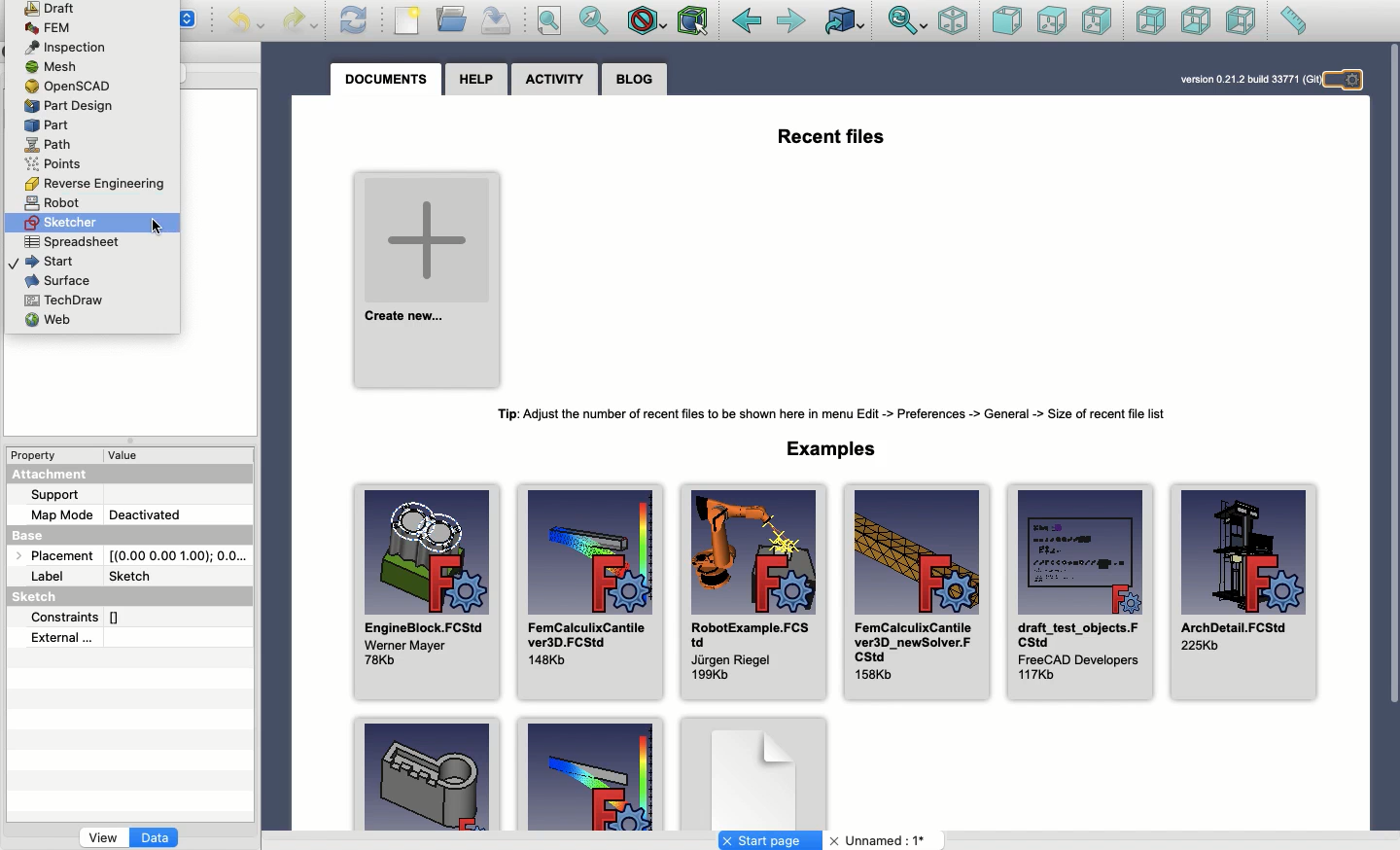 This screenshot has width=1400, height=850. I want to click on EngineBlock, so click(427, 593).